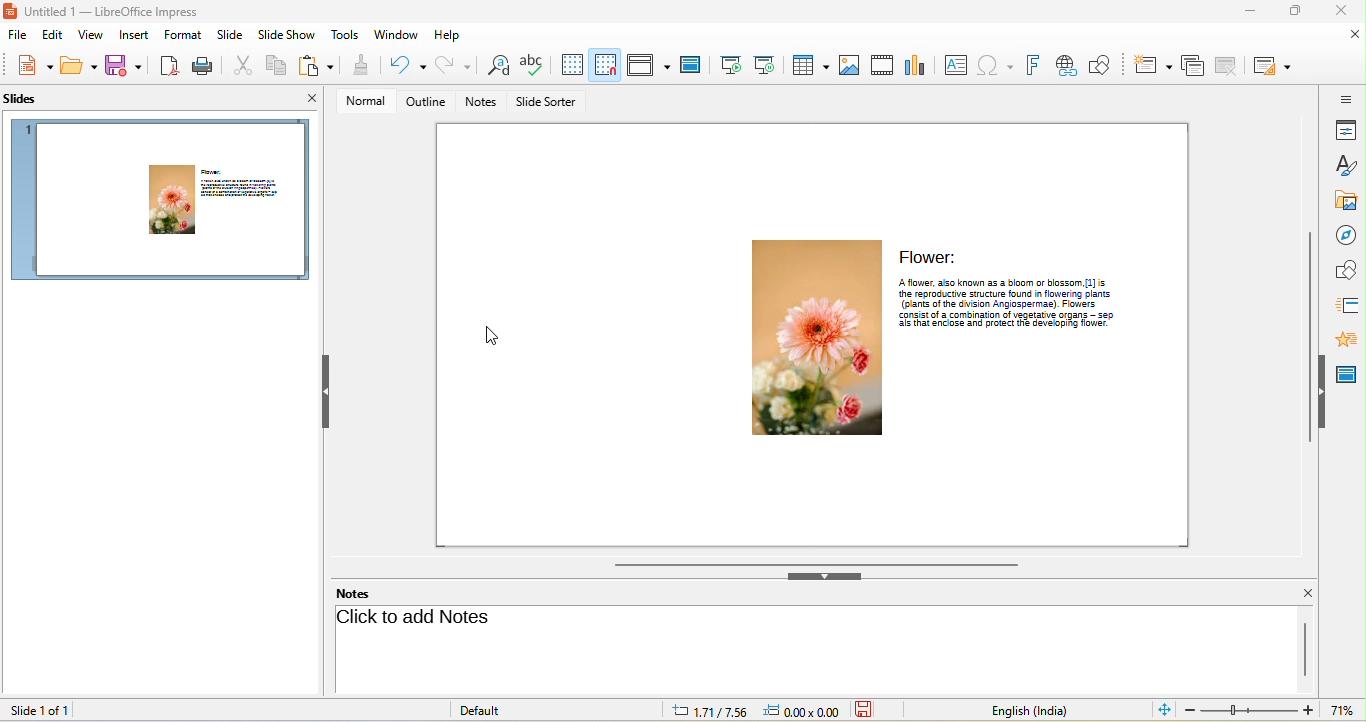 The width and height of the screenshot is (1366, 722). Describe the element at coordinates (126, 68) in the screenshot. I see `save` at that location.